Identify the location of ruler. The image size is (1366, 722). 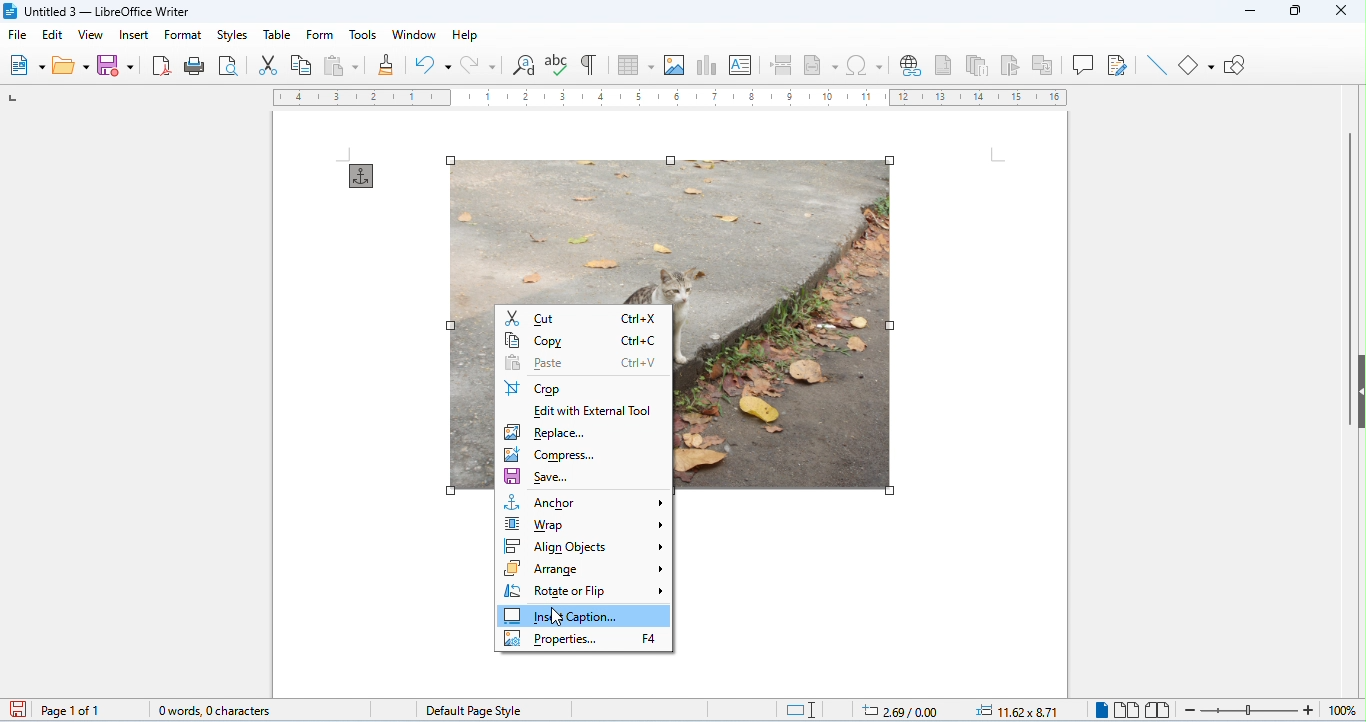
(671, 98).